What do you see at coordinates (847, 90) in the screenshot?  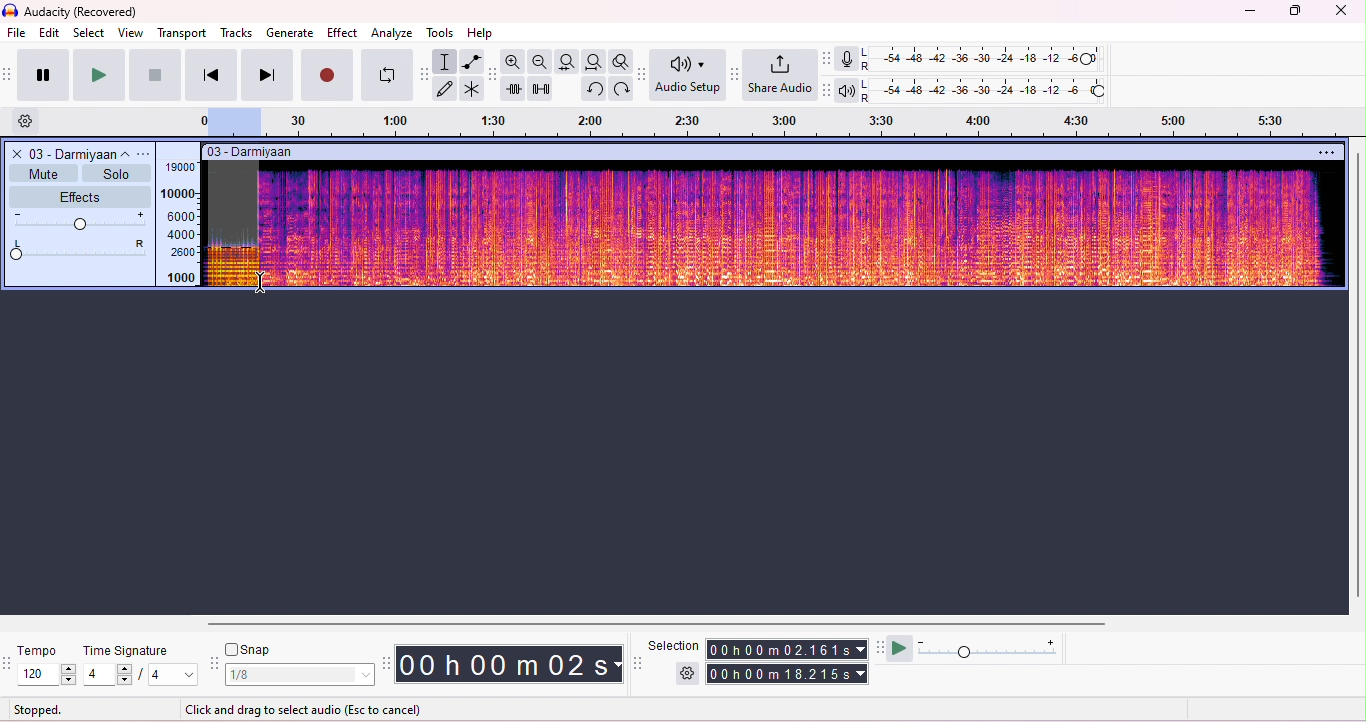 I see `playback meter` at bounding box center [847, 90].